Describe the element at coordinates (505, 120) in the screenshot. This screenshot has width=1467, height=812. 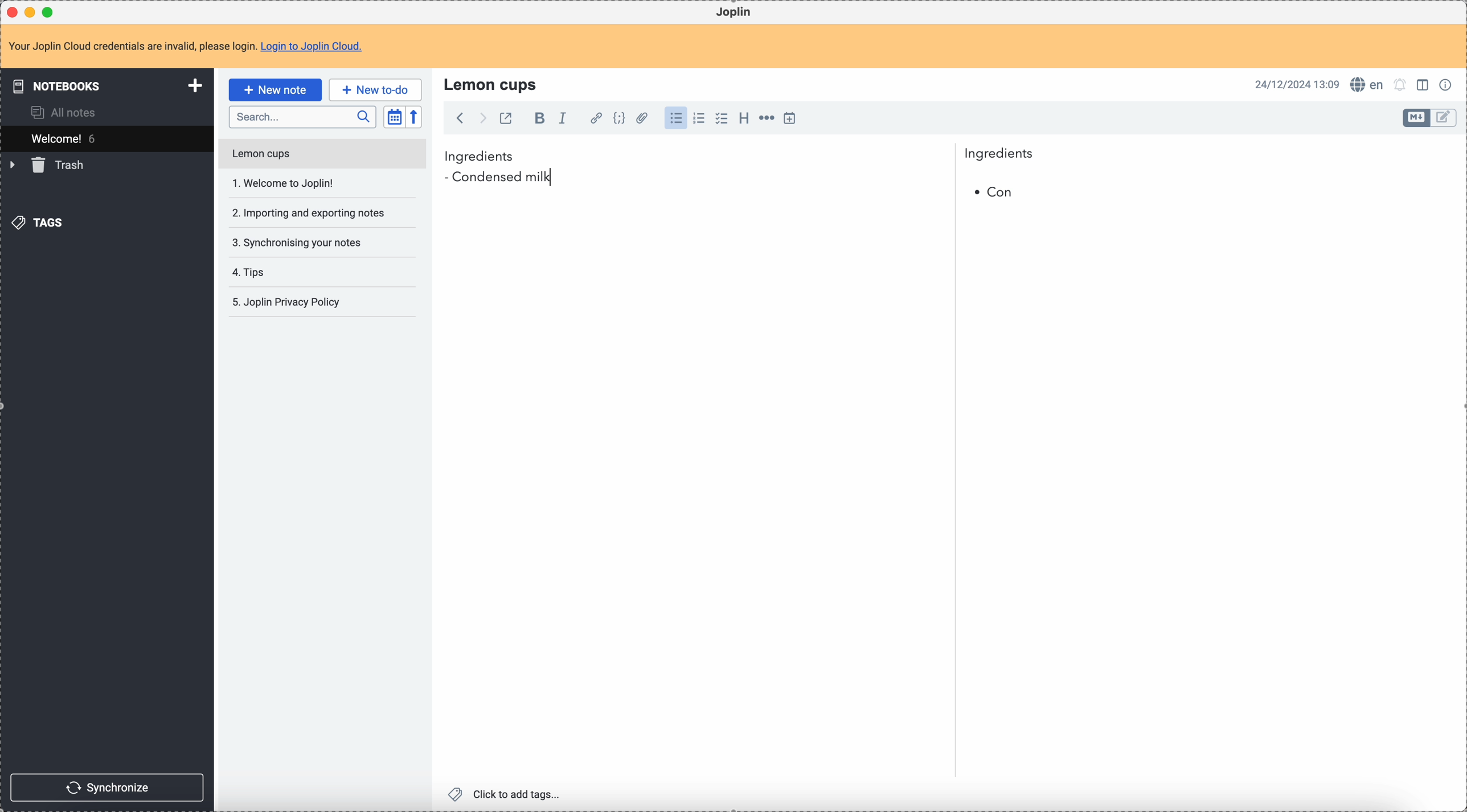
I see `toggle external editing` at that location.